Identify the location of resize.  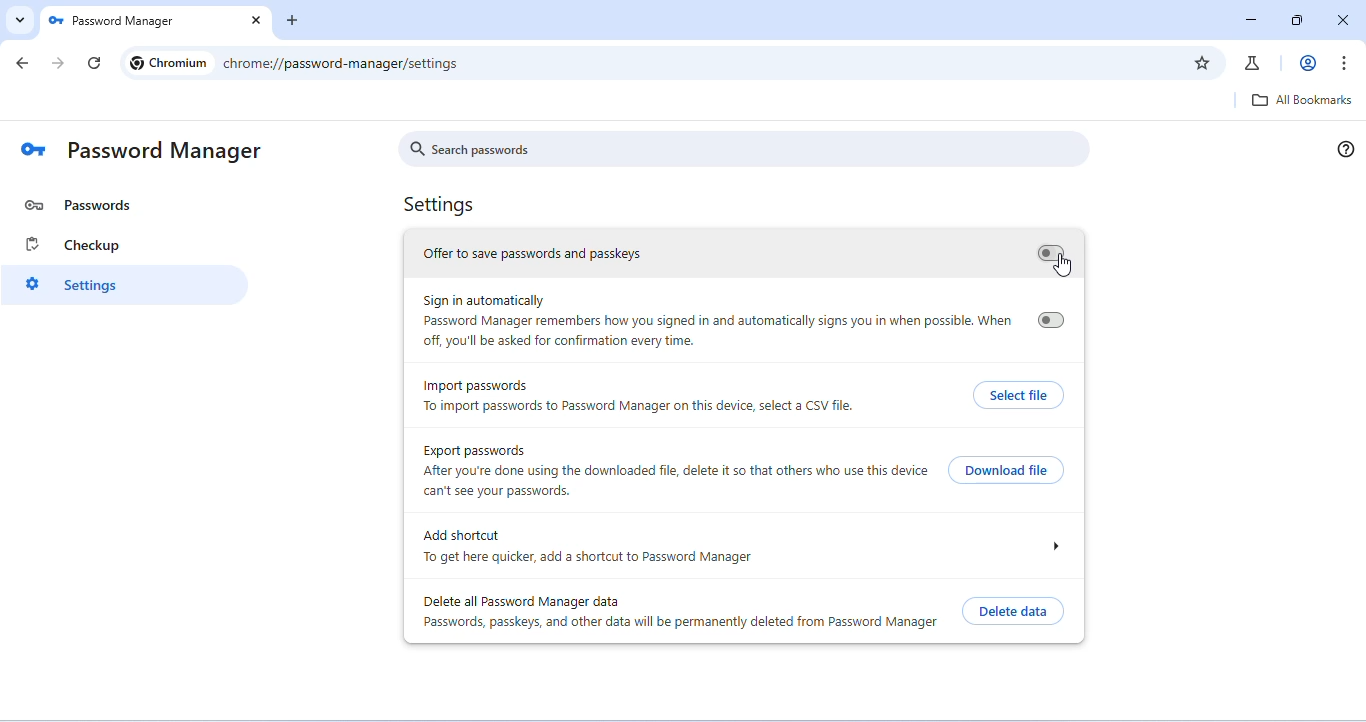
(1295, 20).